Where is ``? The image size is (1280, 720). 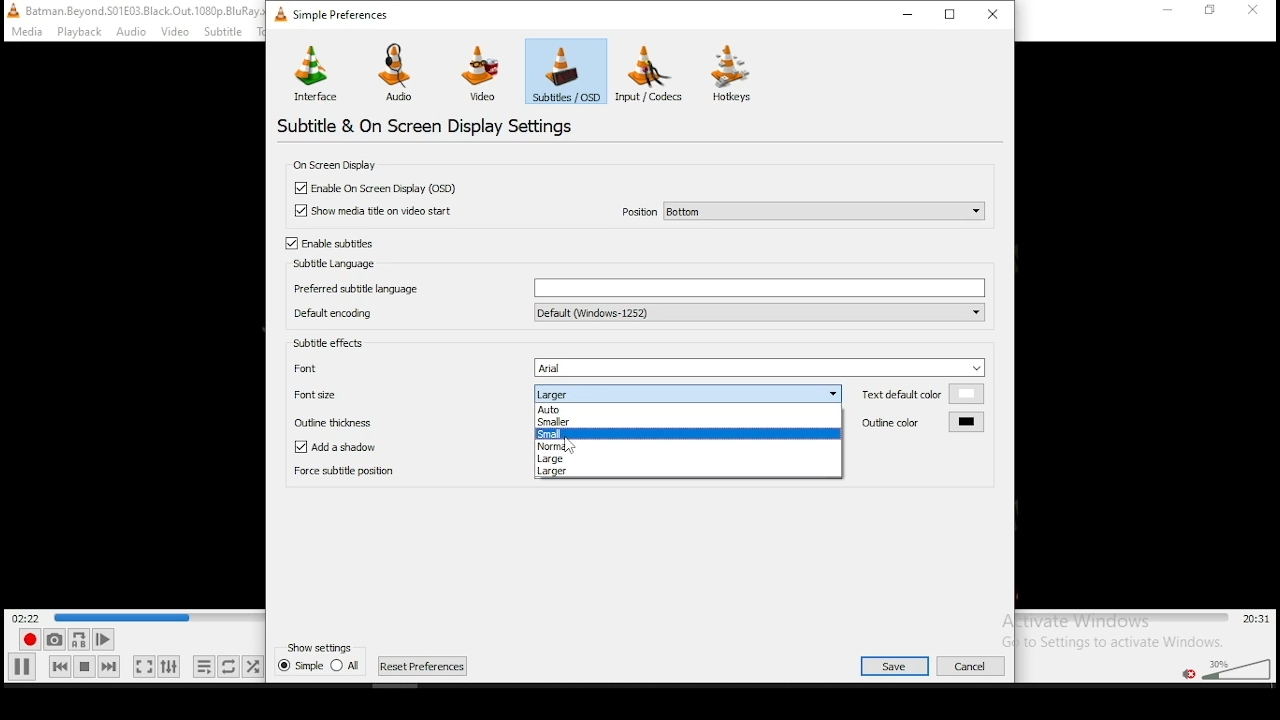  is located at coordinates (78, 32).